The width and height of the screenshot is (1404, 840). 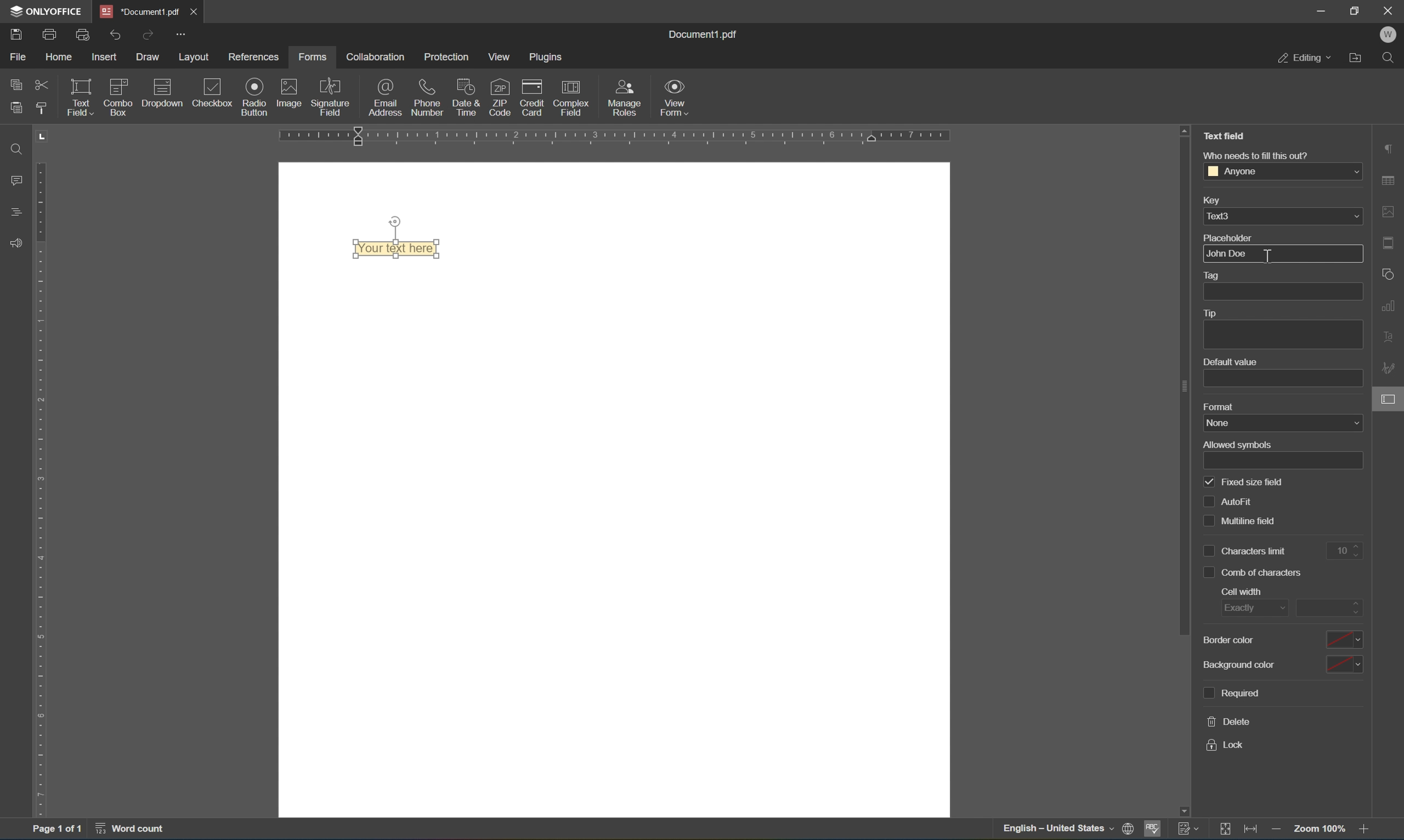 What do you see at coordinates (1343, 550) in the screenshot?
I see `10` at bounding box center [1343, 550].